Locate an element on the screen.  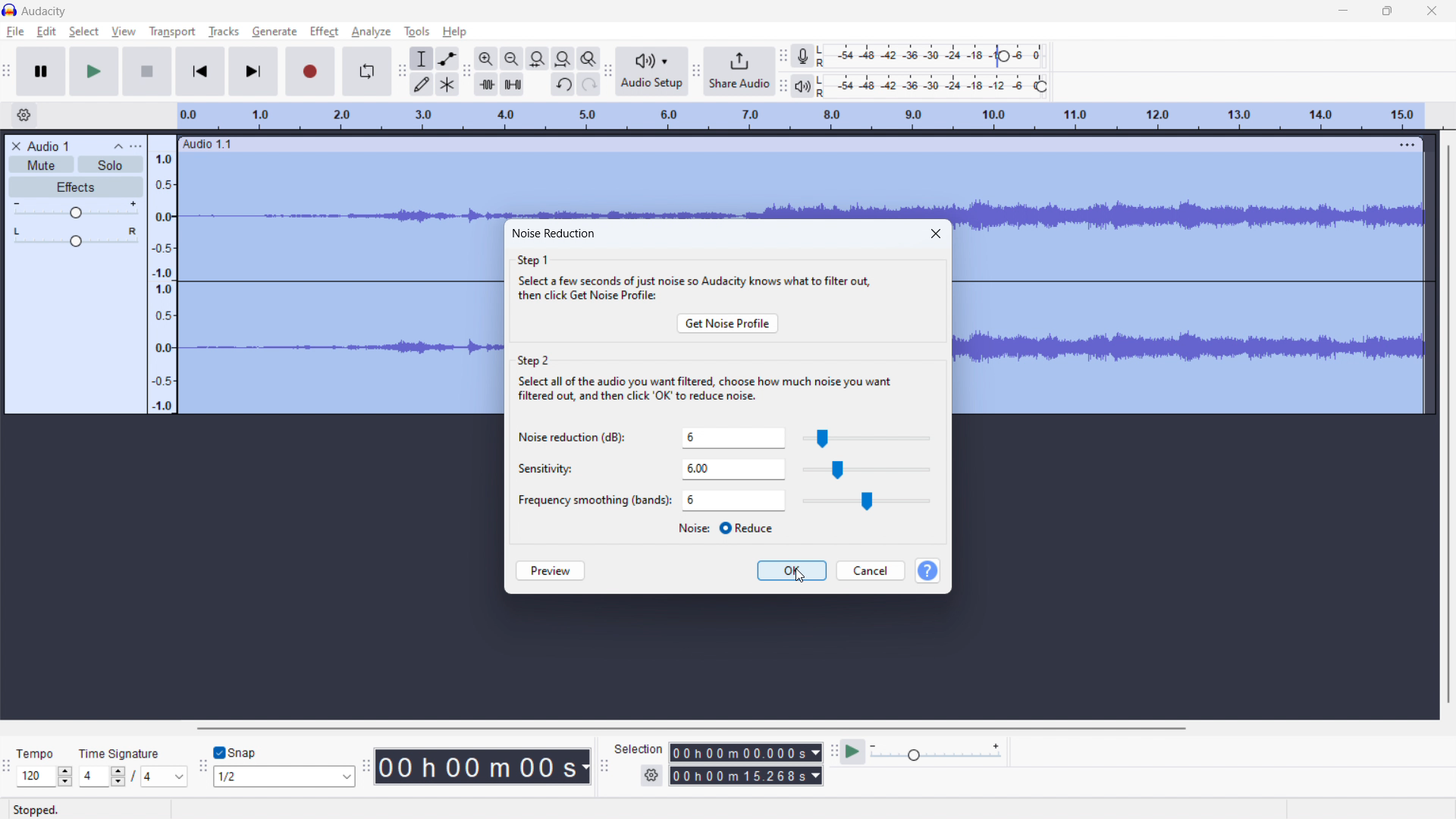
fit project to width is located at coordinates (563, 58).